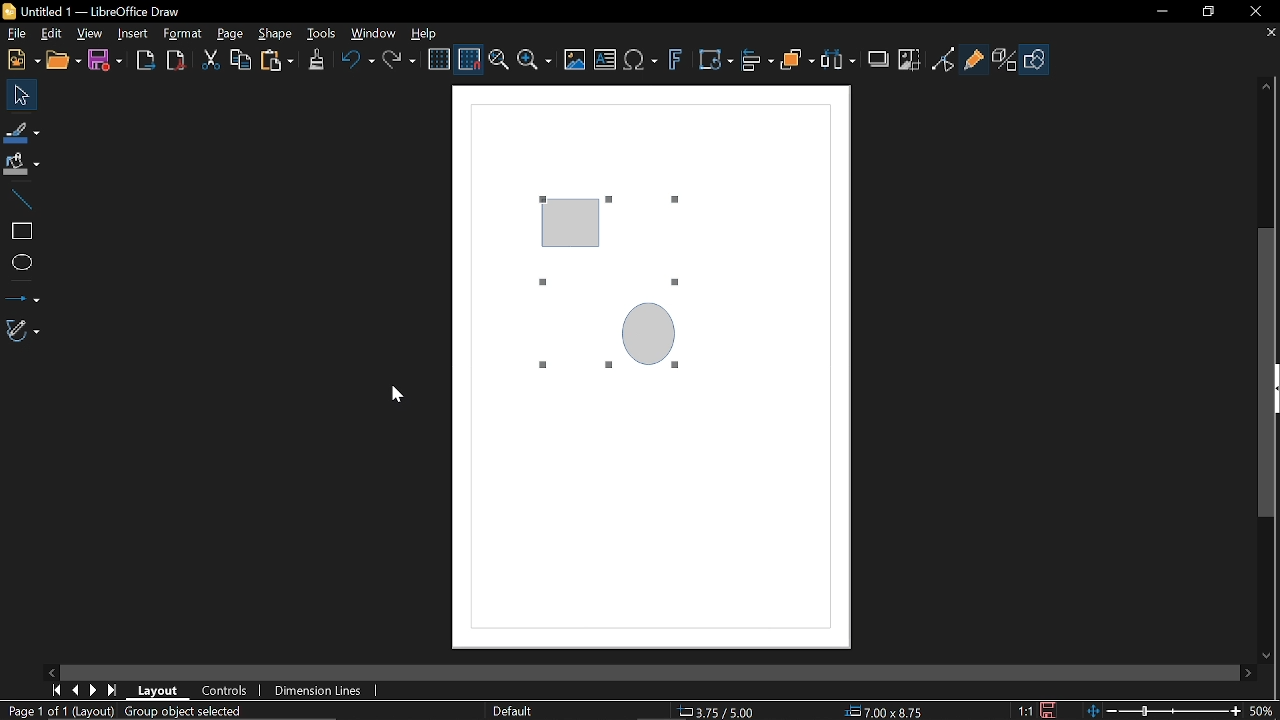  Describe the element at coordinates (1258, 11) in the screenshot. I see `Close` at that location.